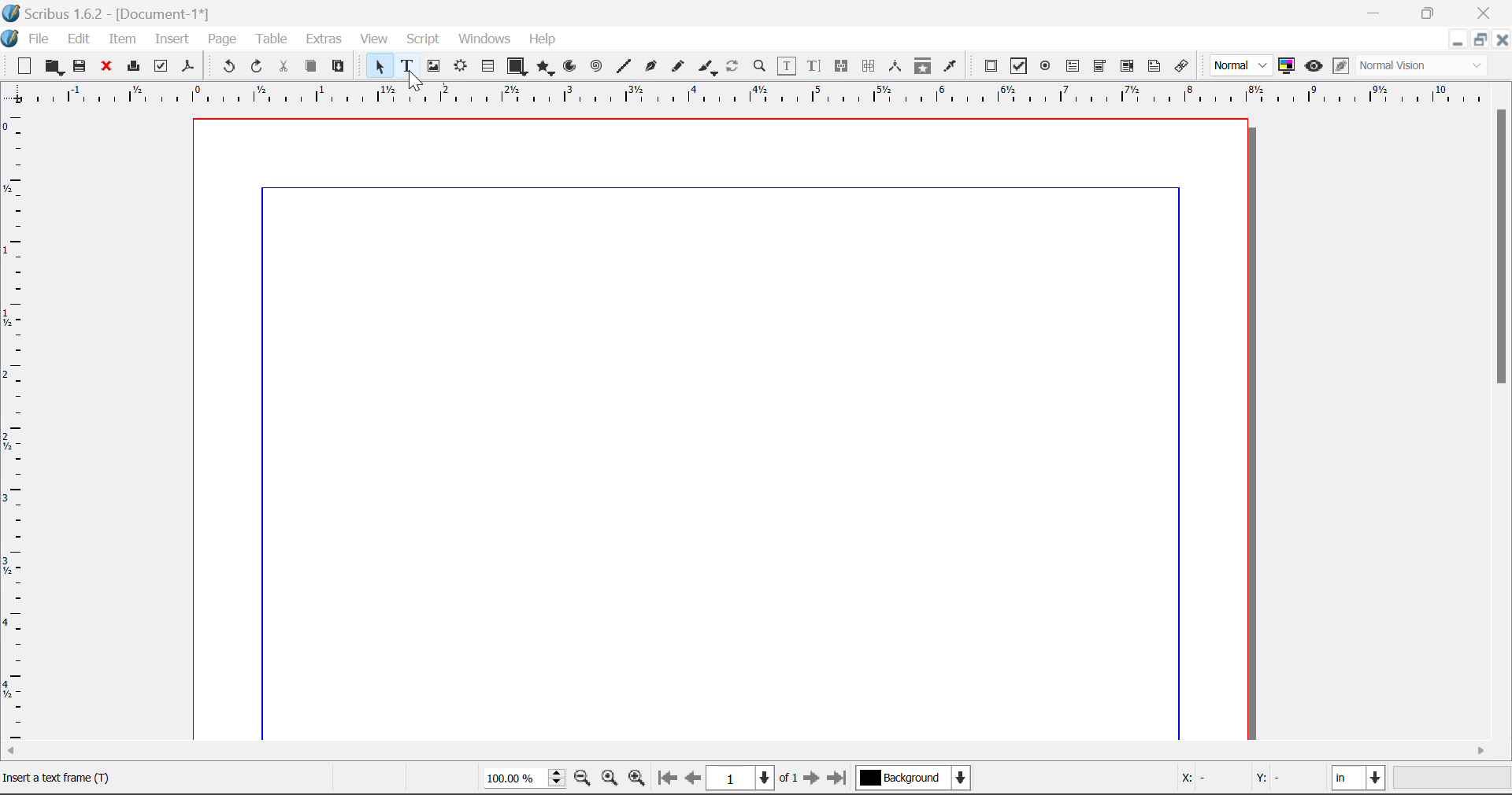  What do you see at coordinates (132, 67) in the screenshot?
I see `Print` at bounding box center [132, 67].